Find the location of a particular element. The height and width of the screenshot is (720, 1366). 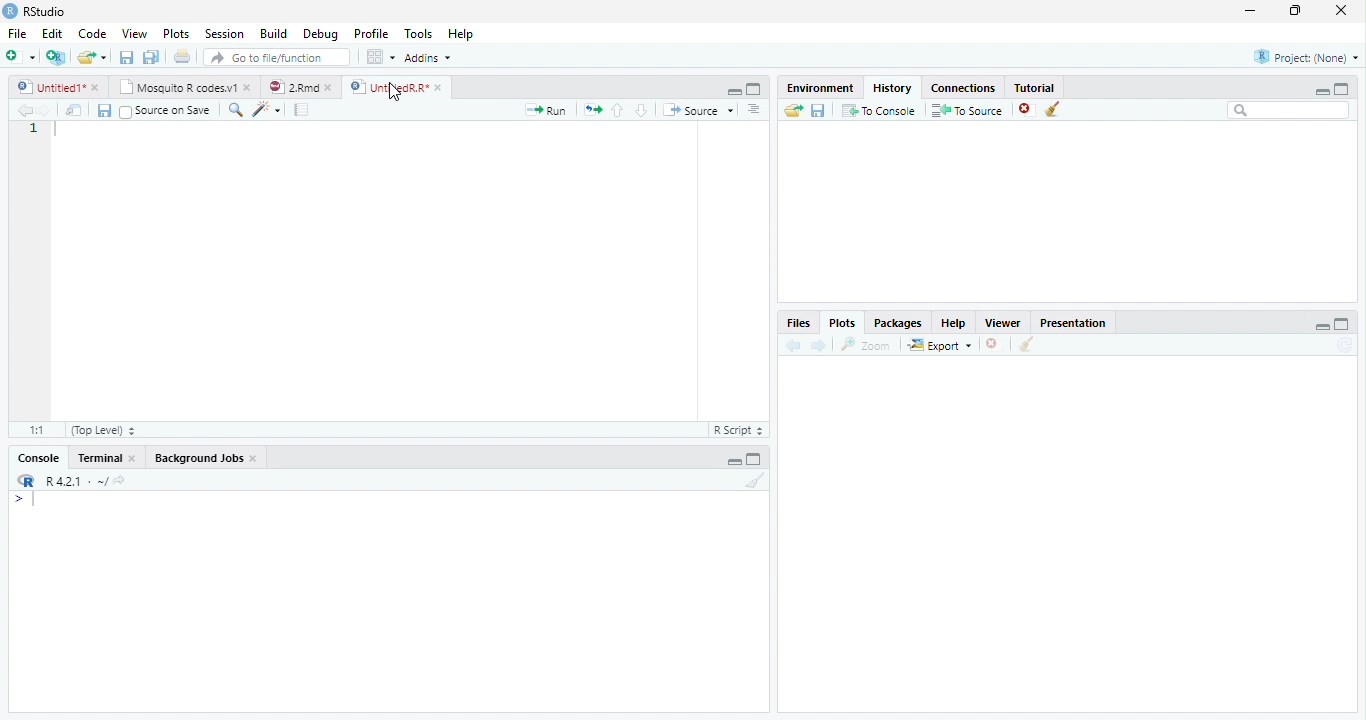

R is located at coordinates (24, 480).